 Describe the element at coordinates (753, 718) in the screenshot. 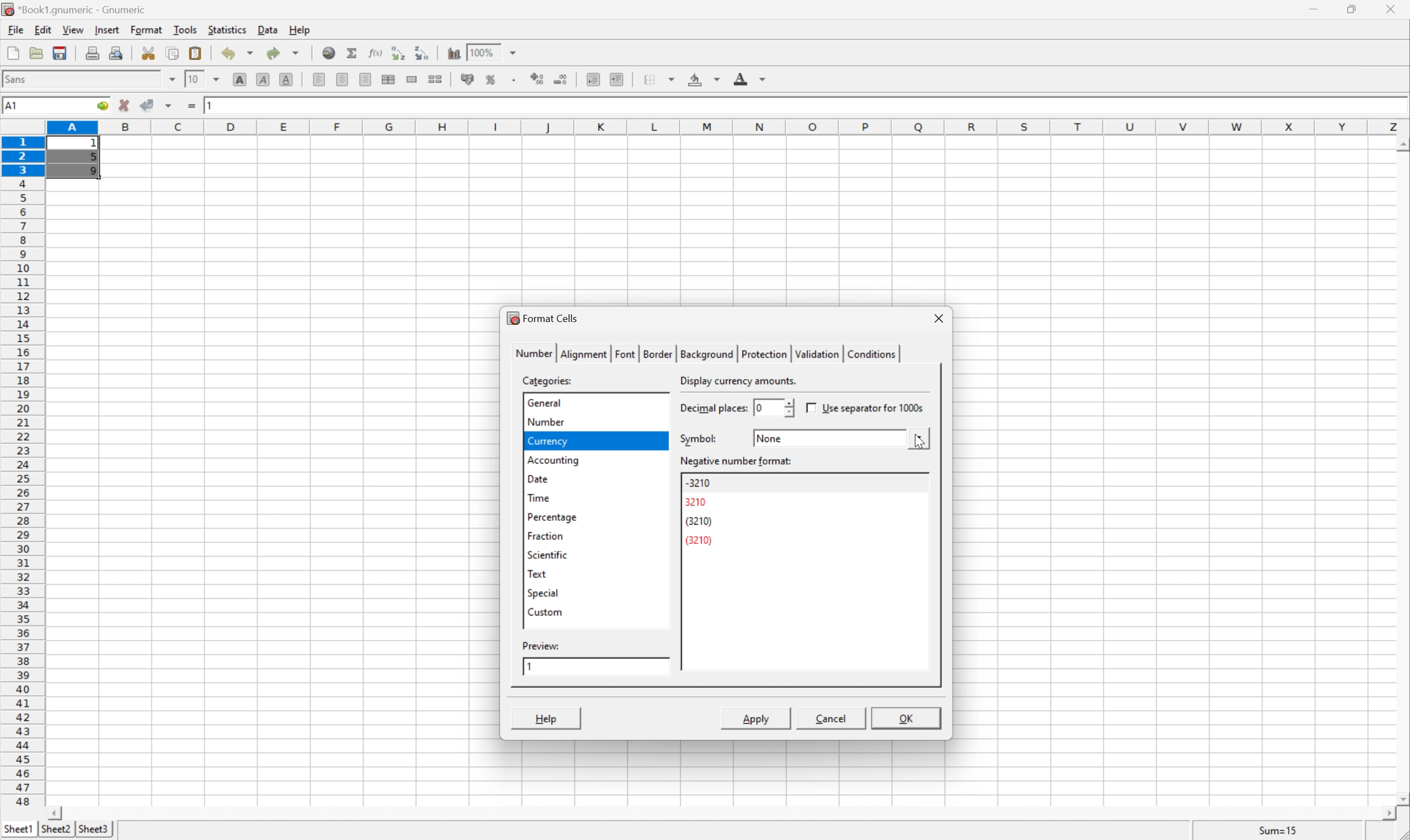

I see `apply` at that location.